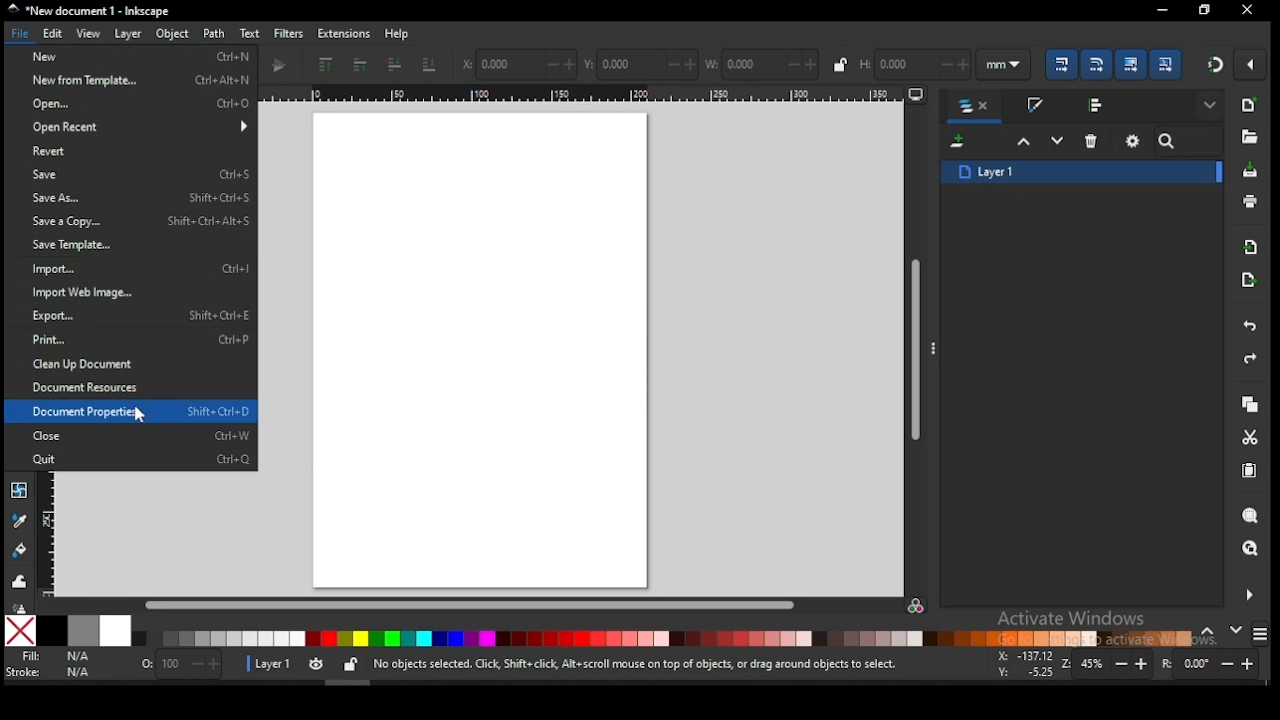 This screenshot has height=720, width=1280. Describe the element at coordinates (137, 56) in the screenshot. I see `new` at that location.